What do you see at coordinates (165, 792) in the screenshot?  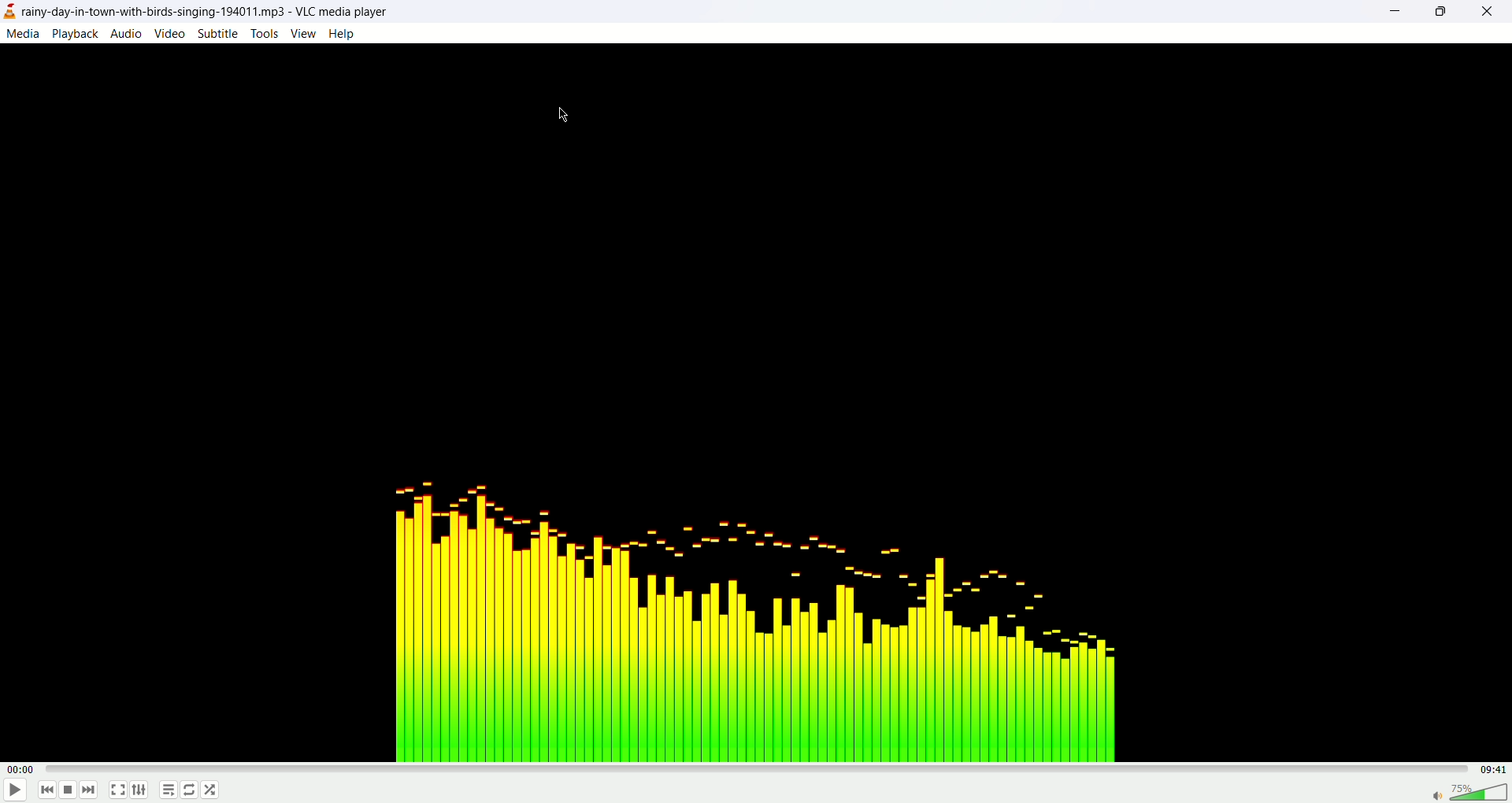 I see `playlist` at bounding box center [165, 792].